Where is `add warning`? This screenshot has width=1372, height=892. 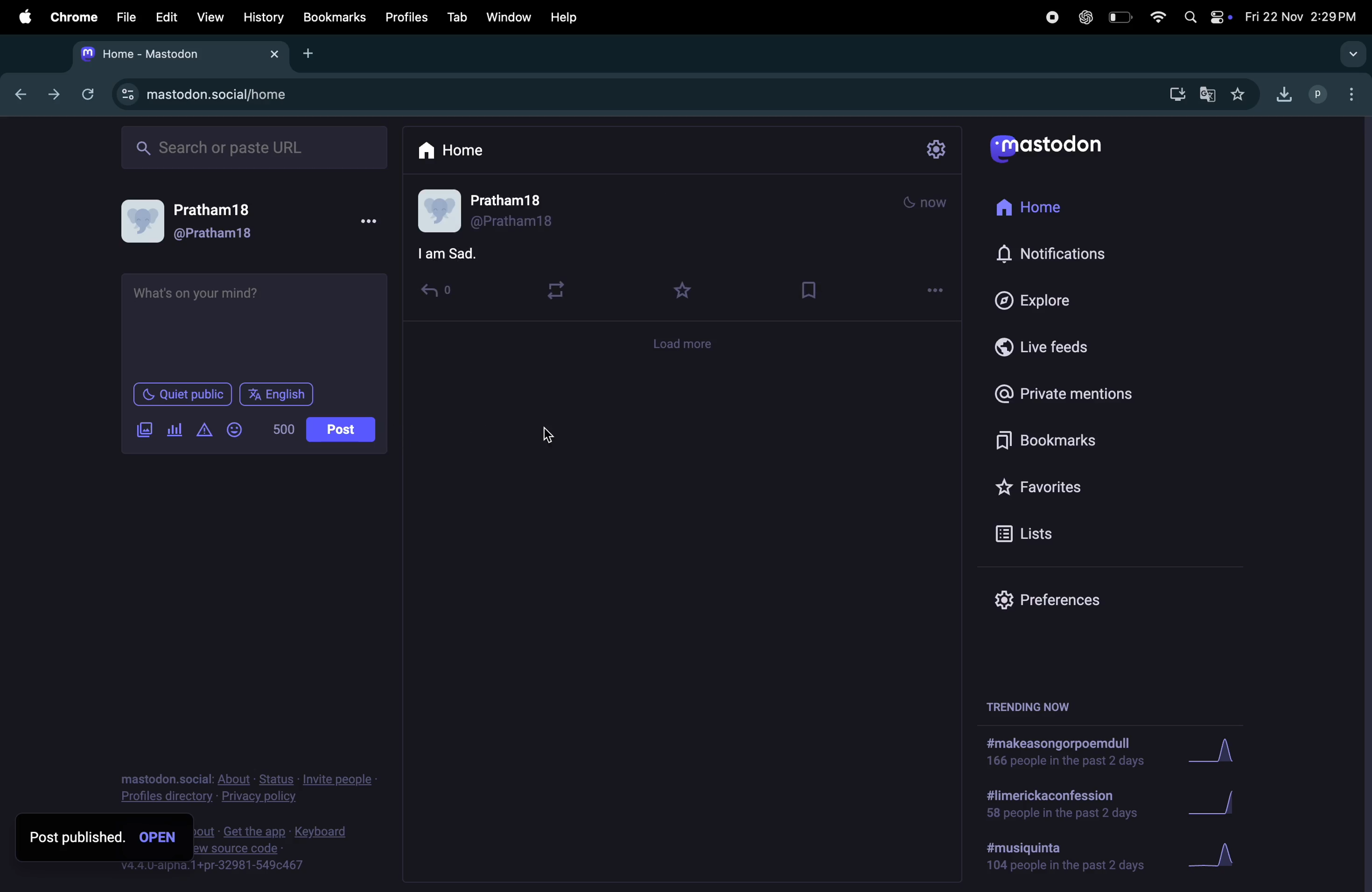
add warning is located at coordinates (202, 429).